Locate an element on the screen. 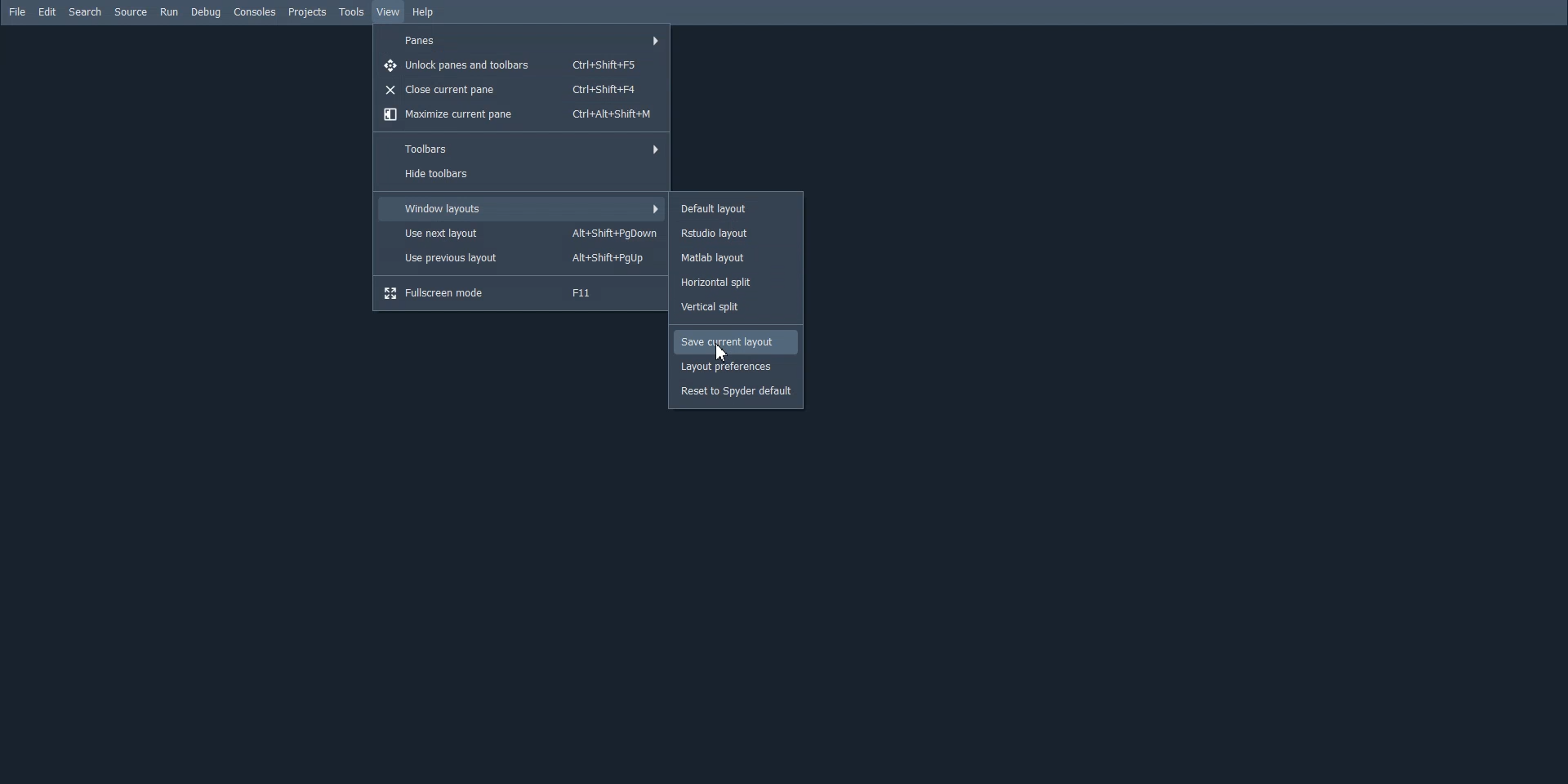 This screenshot has width=1568, height=784. Help is located at coordinates (425, 13).